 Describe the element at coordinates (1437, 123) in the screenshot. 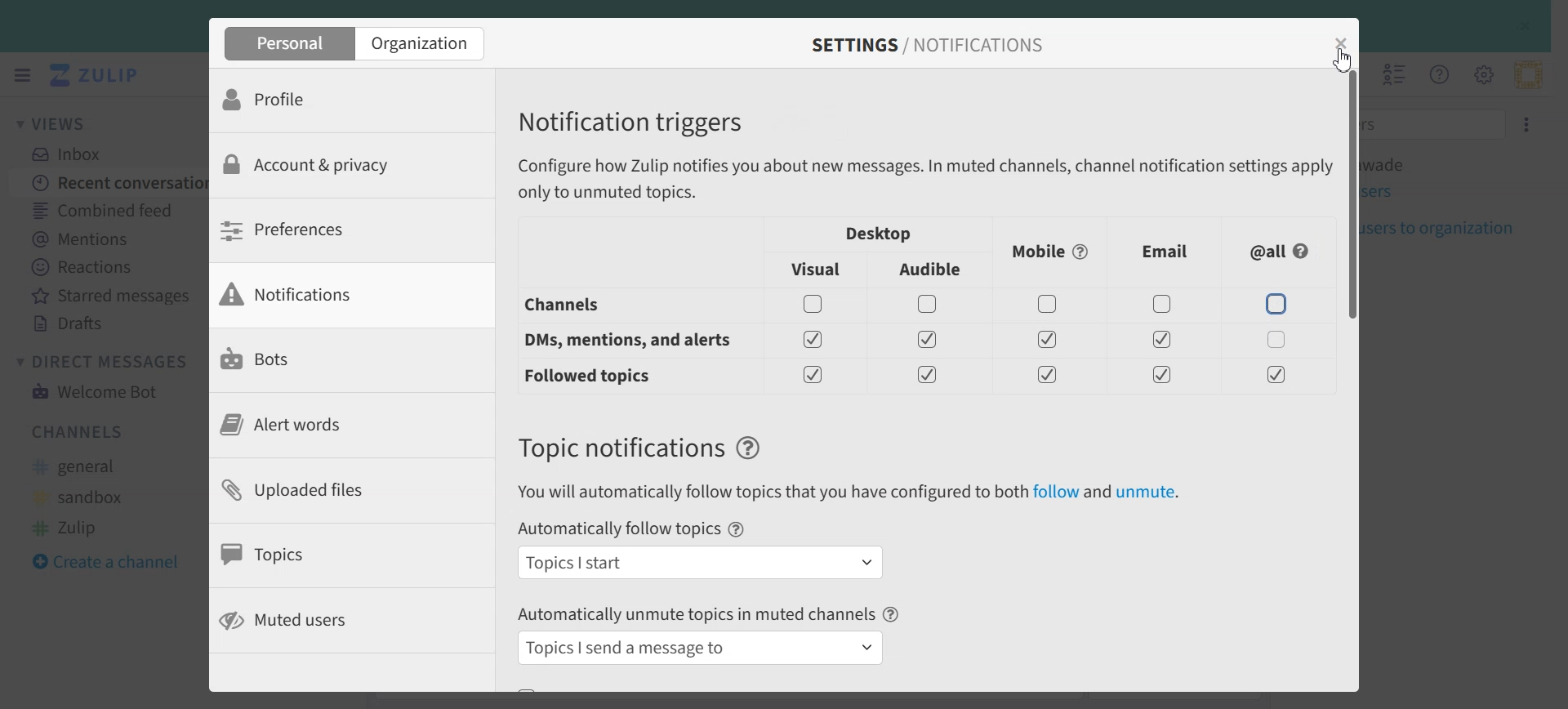

I see `Filter users` at that location.